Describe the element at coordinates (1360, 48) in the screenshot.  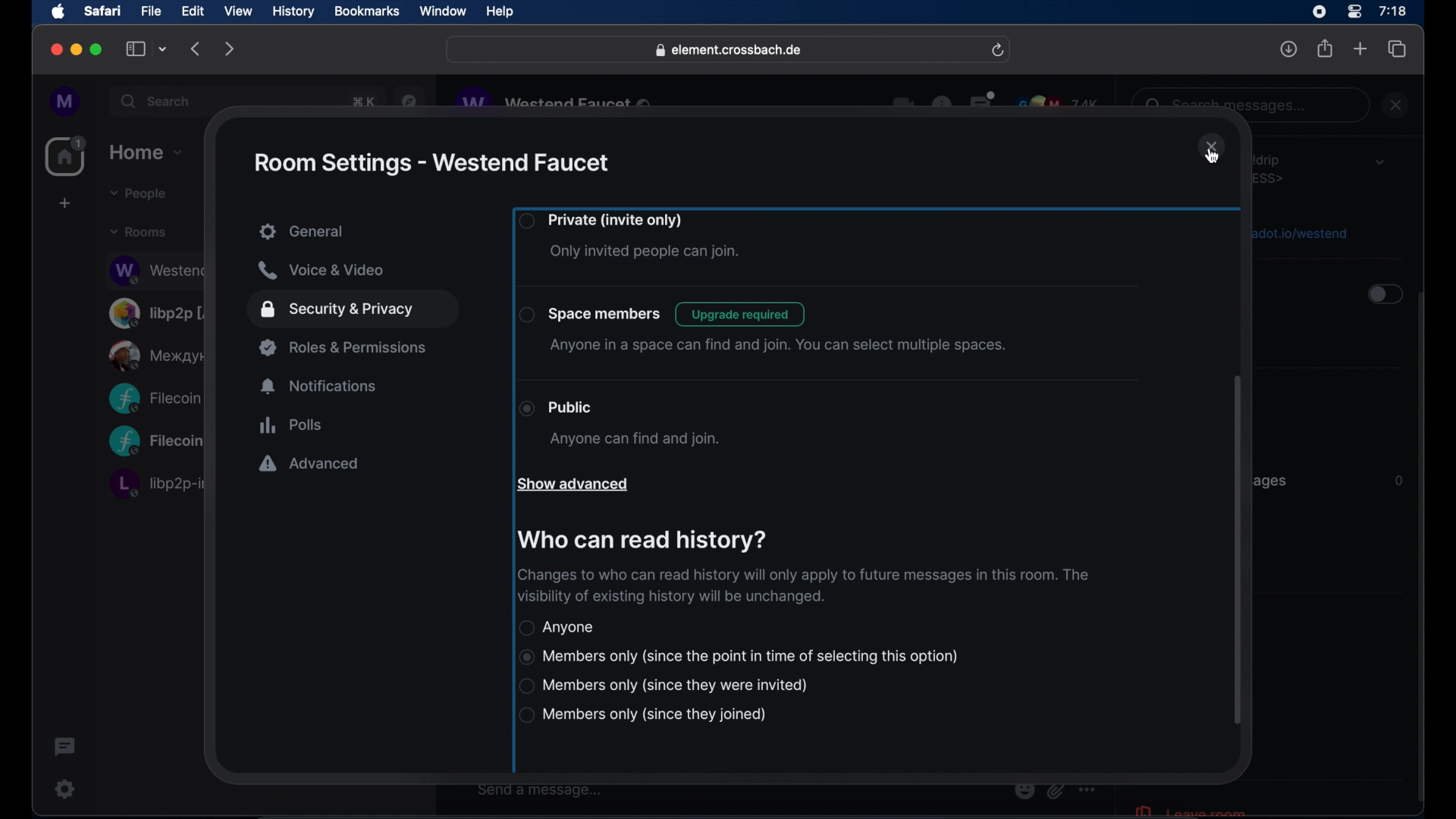
I see `new tab` at that location.